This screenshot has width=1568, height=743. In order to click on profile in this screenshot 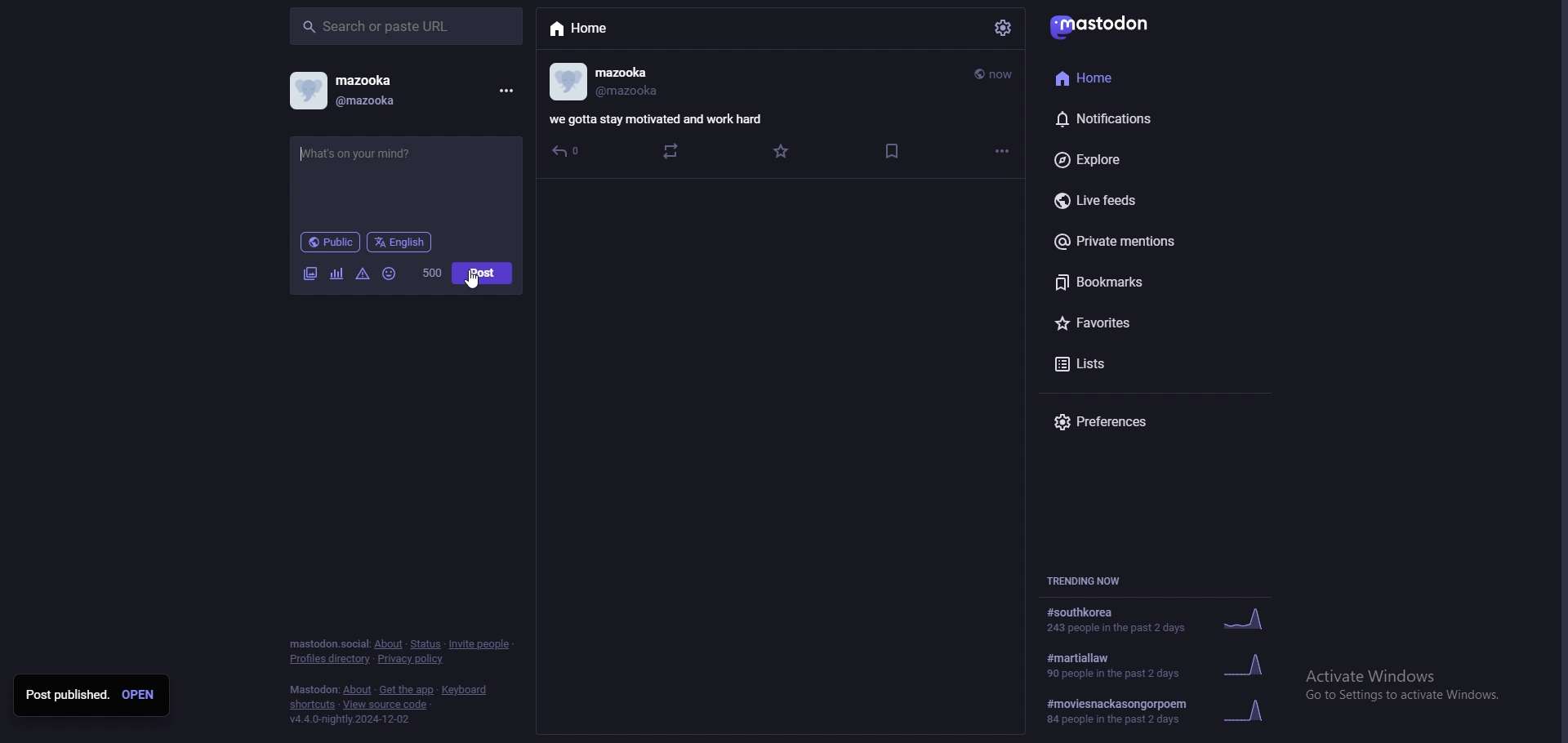, I will do `click(569, 82)`.